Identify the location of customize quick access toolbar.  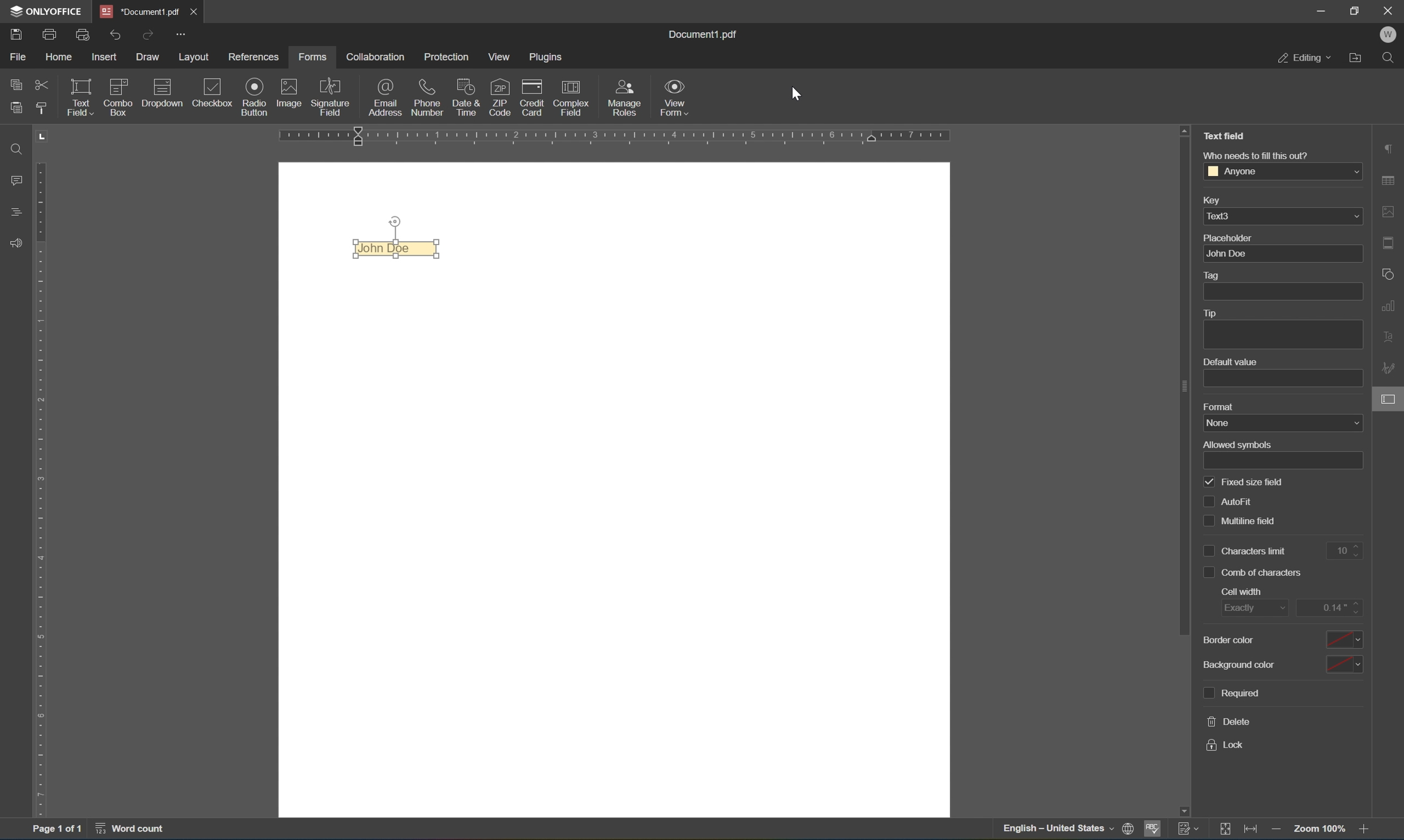
(182, 34).